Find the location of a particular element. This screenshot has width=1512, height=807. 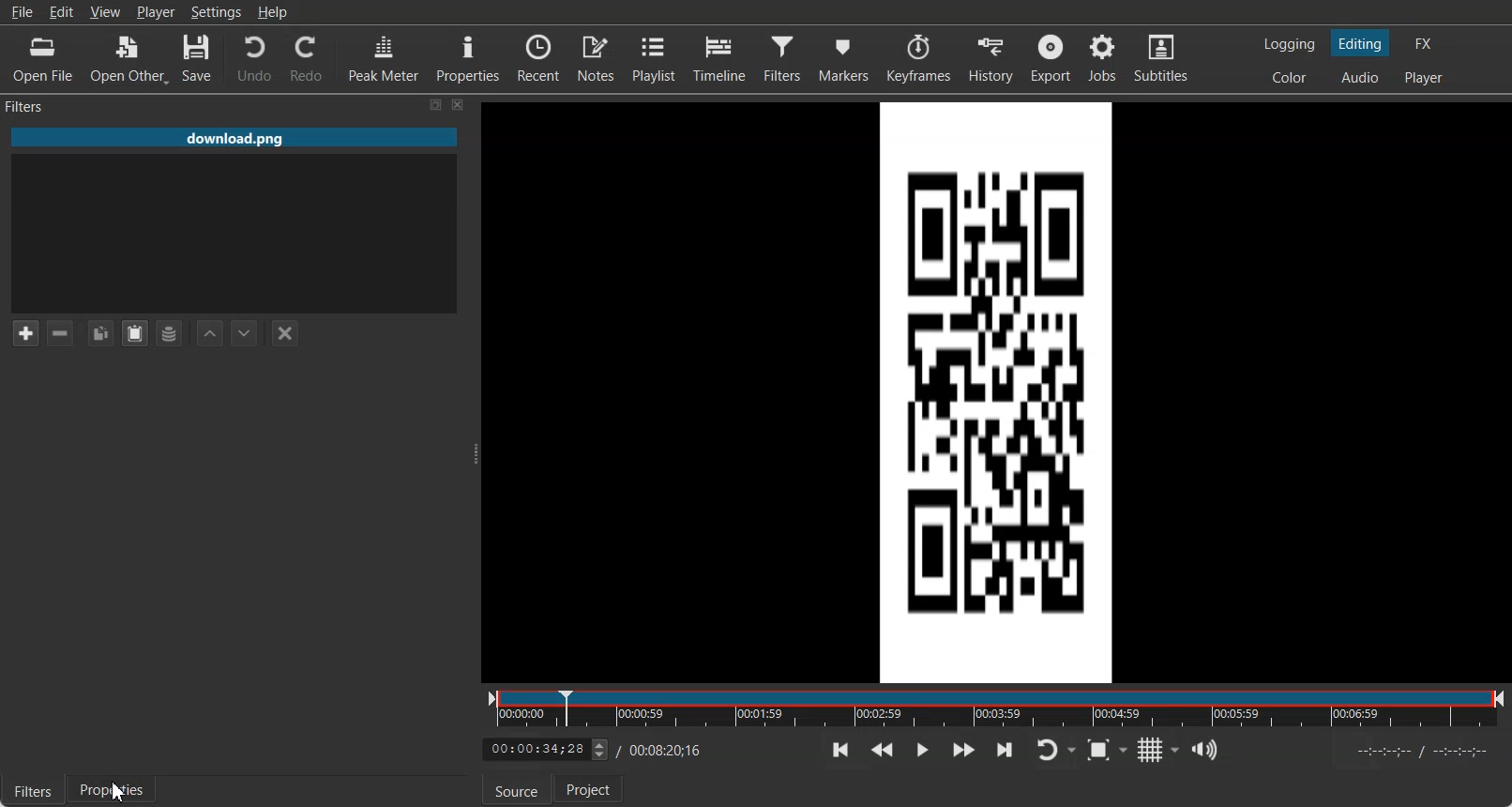

Video end time is located at coordinates (668, 751).